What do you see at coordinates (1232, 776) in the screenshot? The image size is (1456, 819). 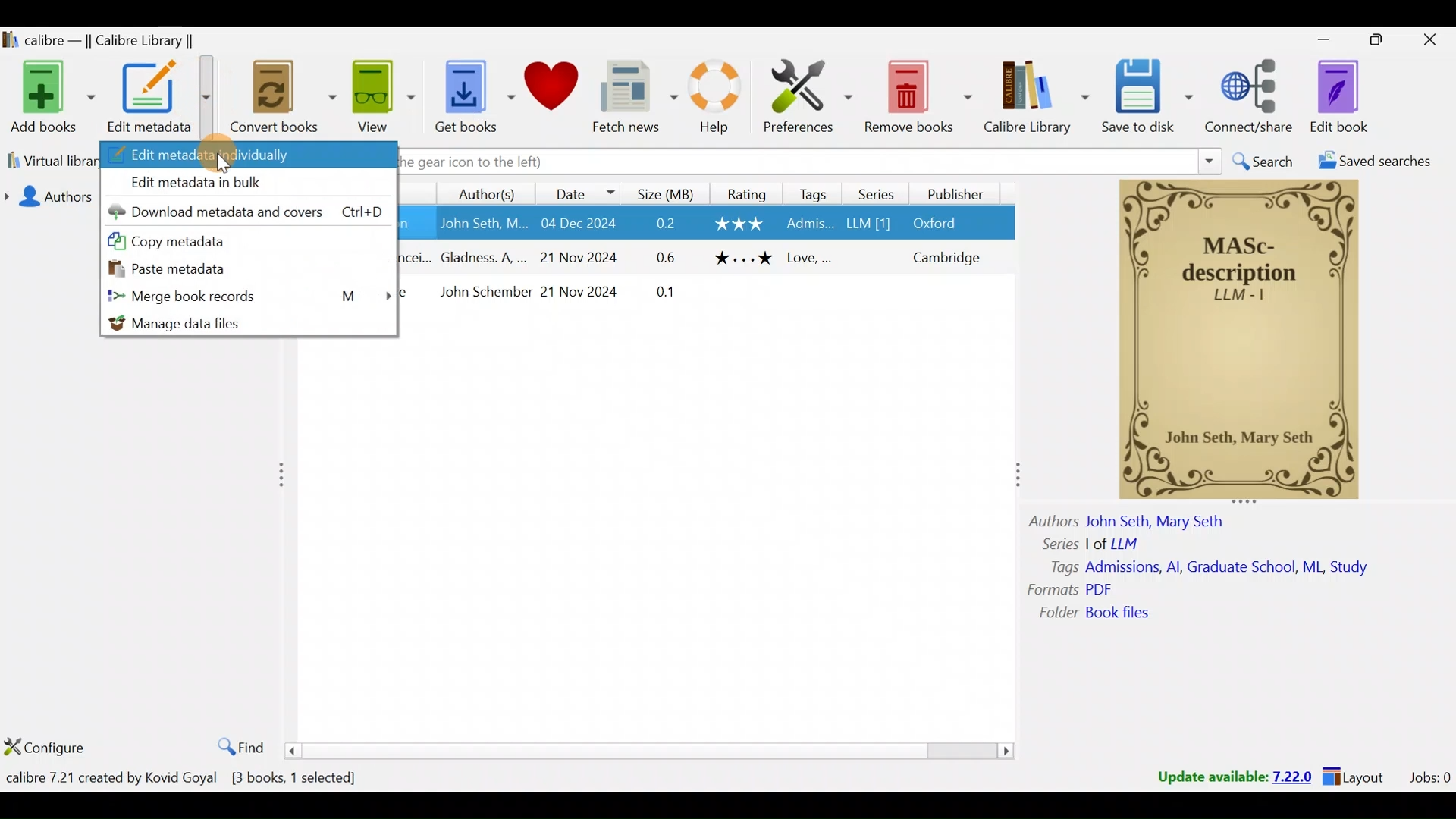 I see `Update` at bounding box center [1232, 776].